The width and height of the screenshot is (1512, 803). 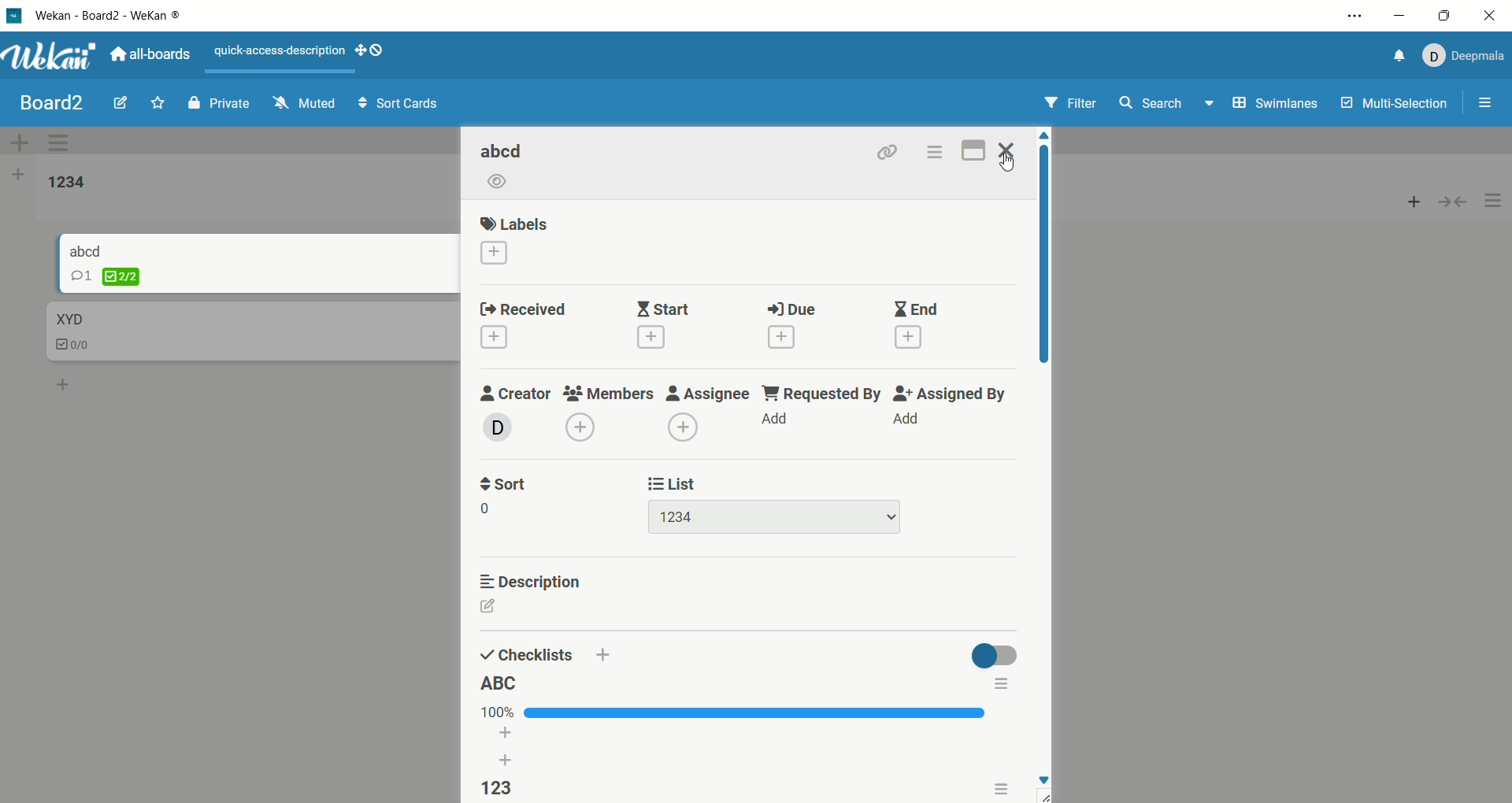 I want to click on labels, so click(x=517, y=238).